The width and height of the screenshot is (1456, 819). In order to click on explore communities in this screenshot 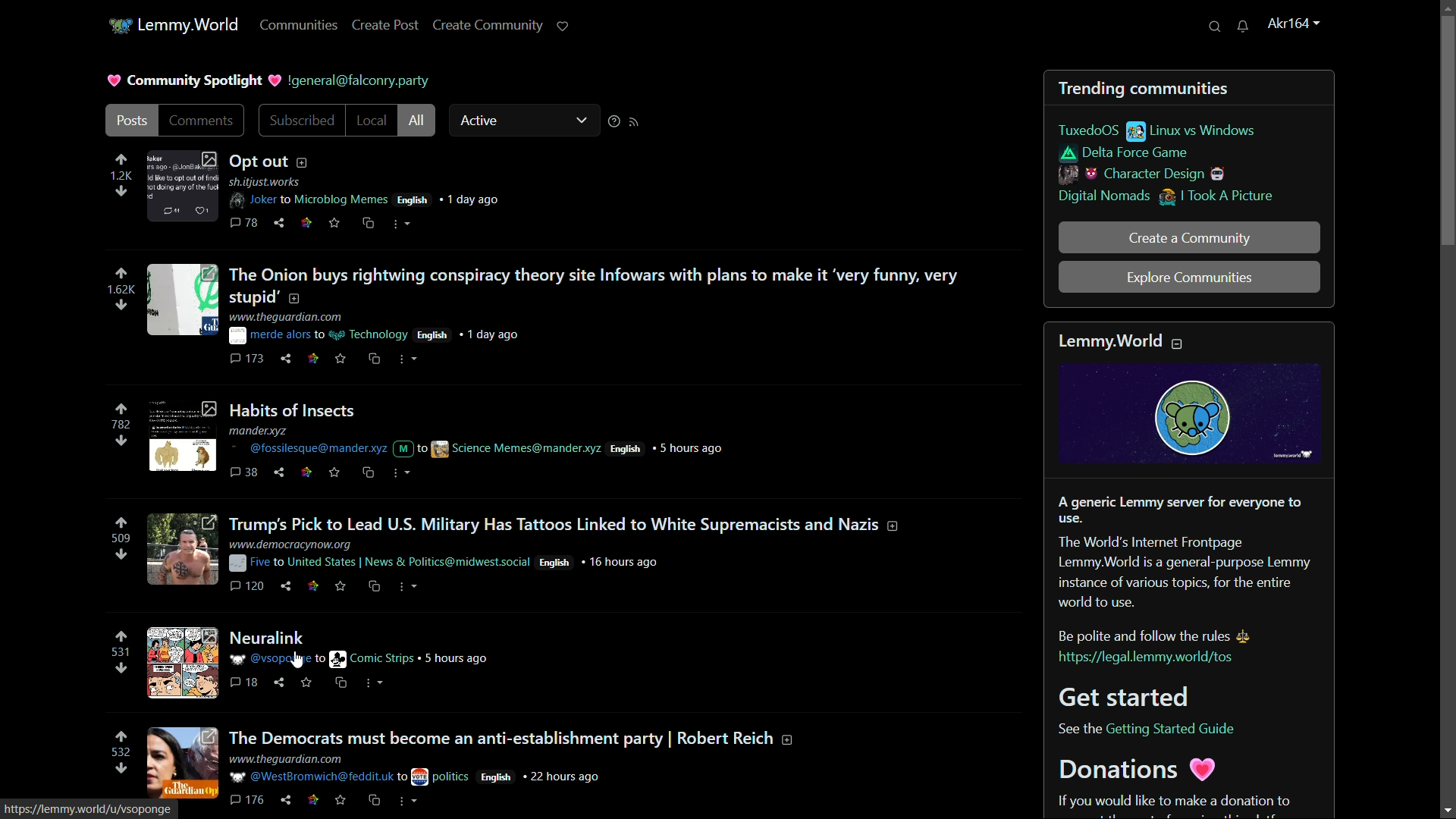, I will do `click(1187, 277)`.